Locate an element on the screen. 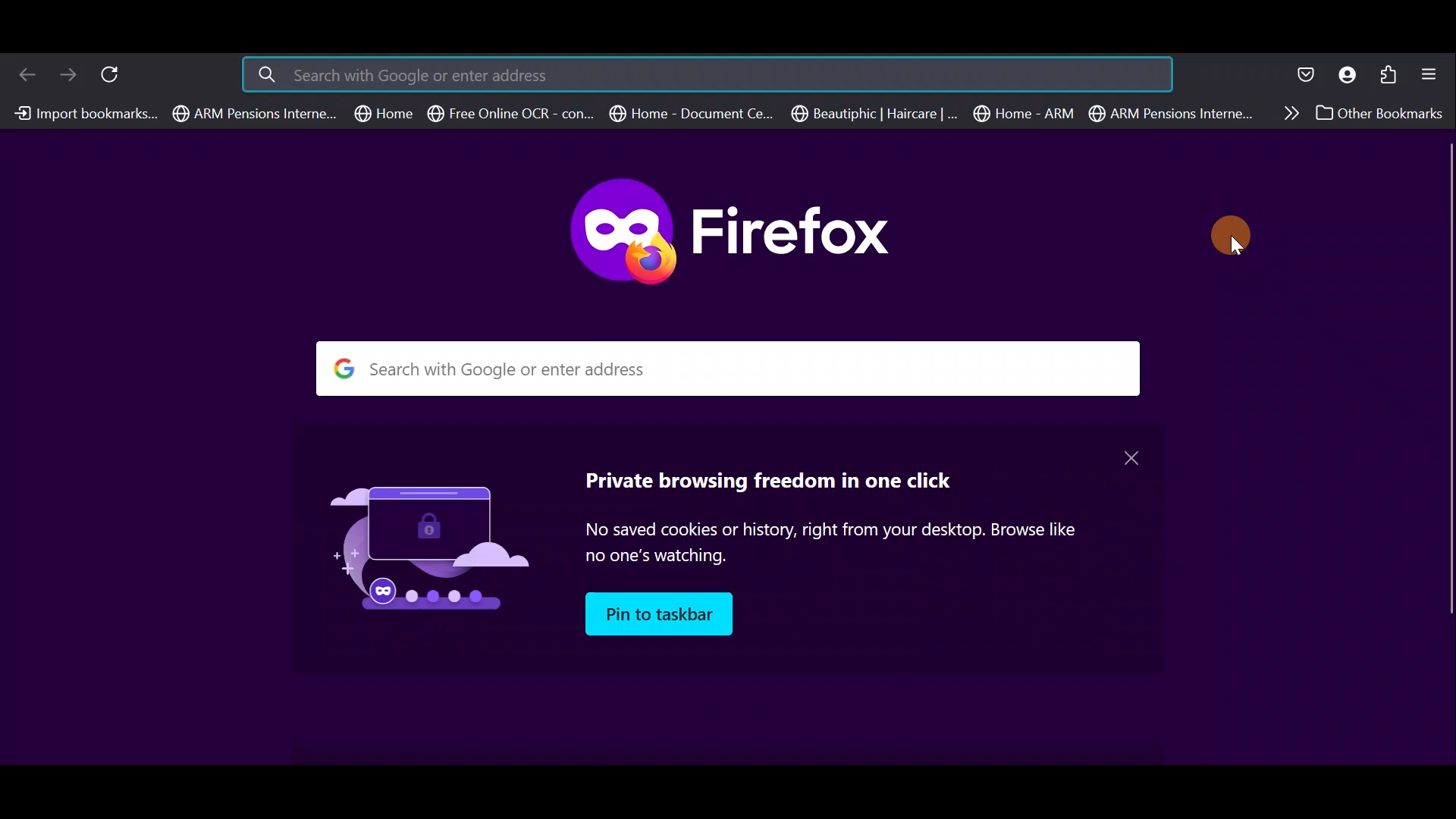 This screenshot has height=819, width=1456. Show more bookmarks is located at coordinates (1285, 112).